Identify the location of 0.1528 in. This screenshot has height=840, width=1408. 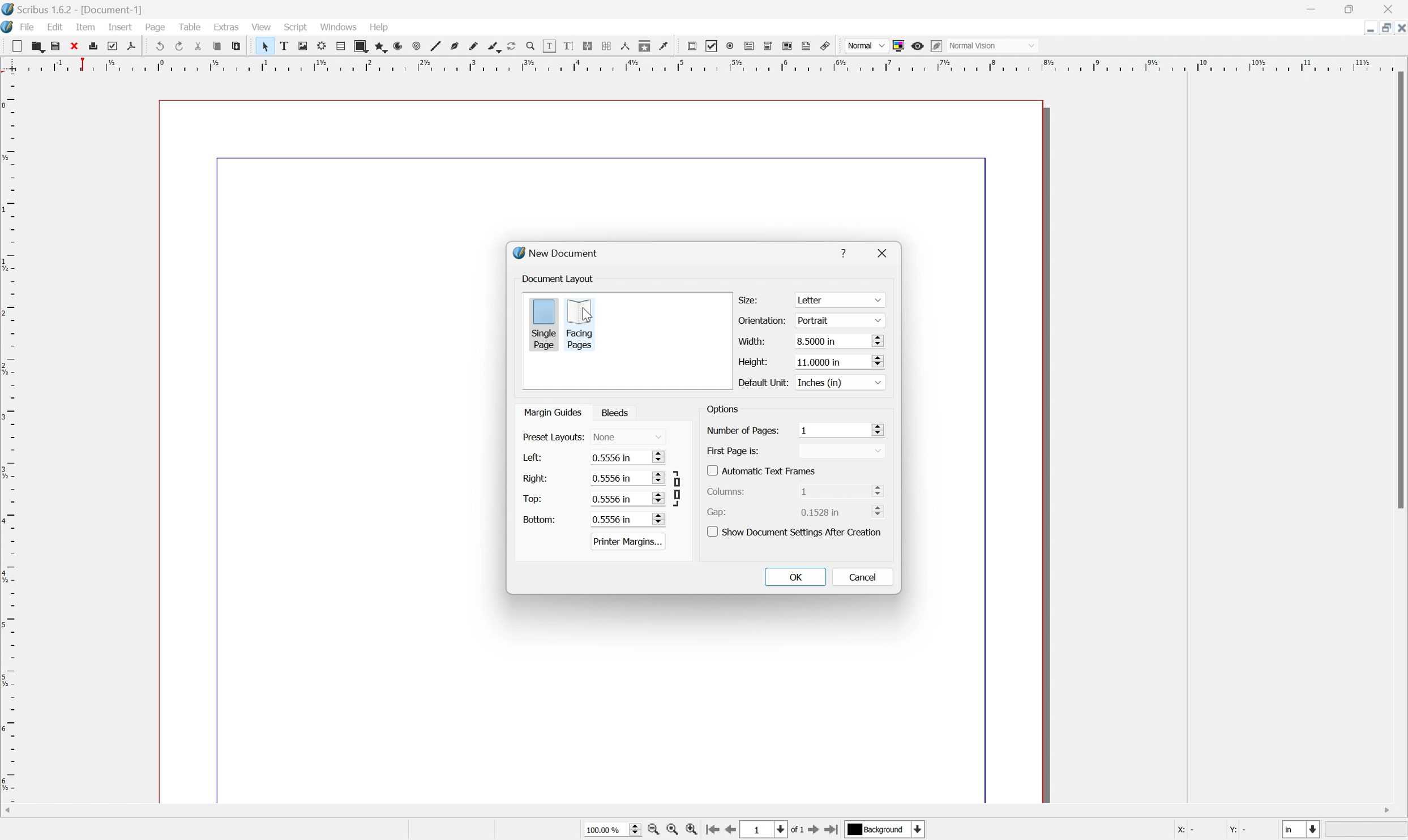
(844, 513).